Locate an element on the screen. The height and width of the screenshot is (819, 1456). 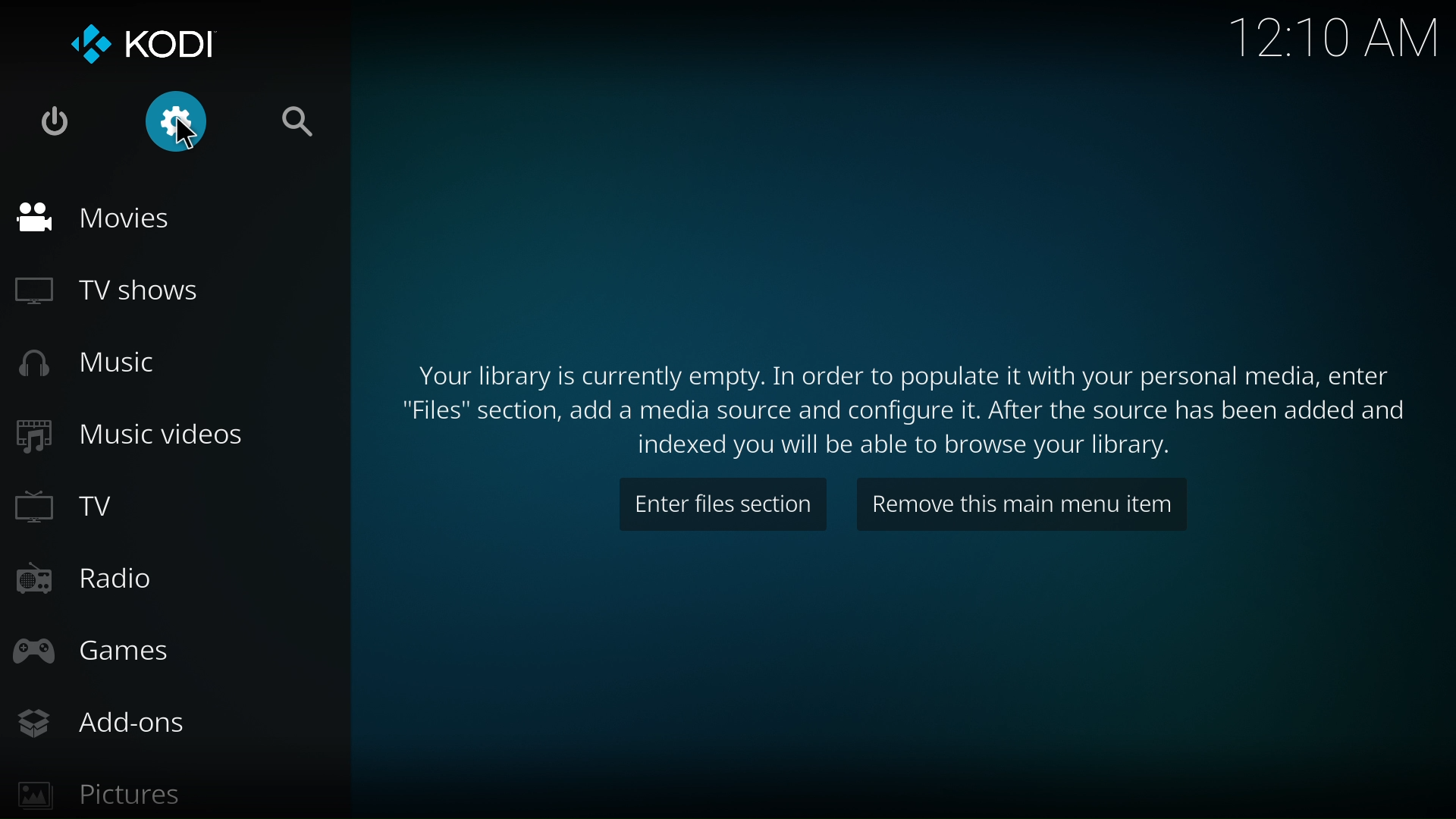
kodi is located at coordinates (153, 46).